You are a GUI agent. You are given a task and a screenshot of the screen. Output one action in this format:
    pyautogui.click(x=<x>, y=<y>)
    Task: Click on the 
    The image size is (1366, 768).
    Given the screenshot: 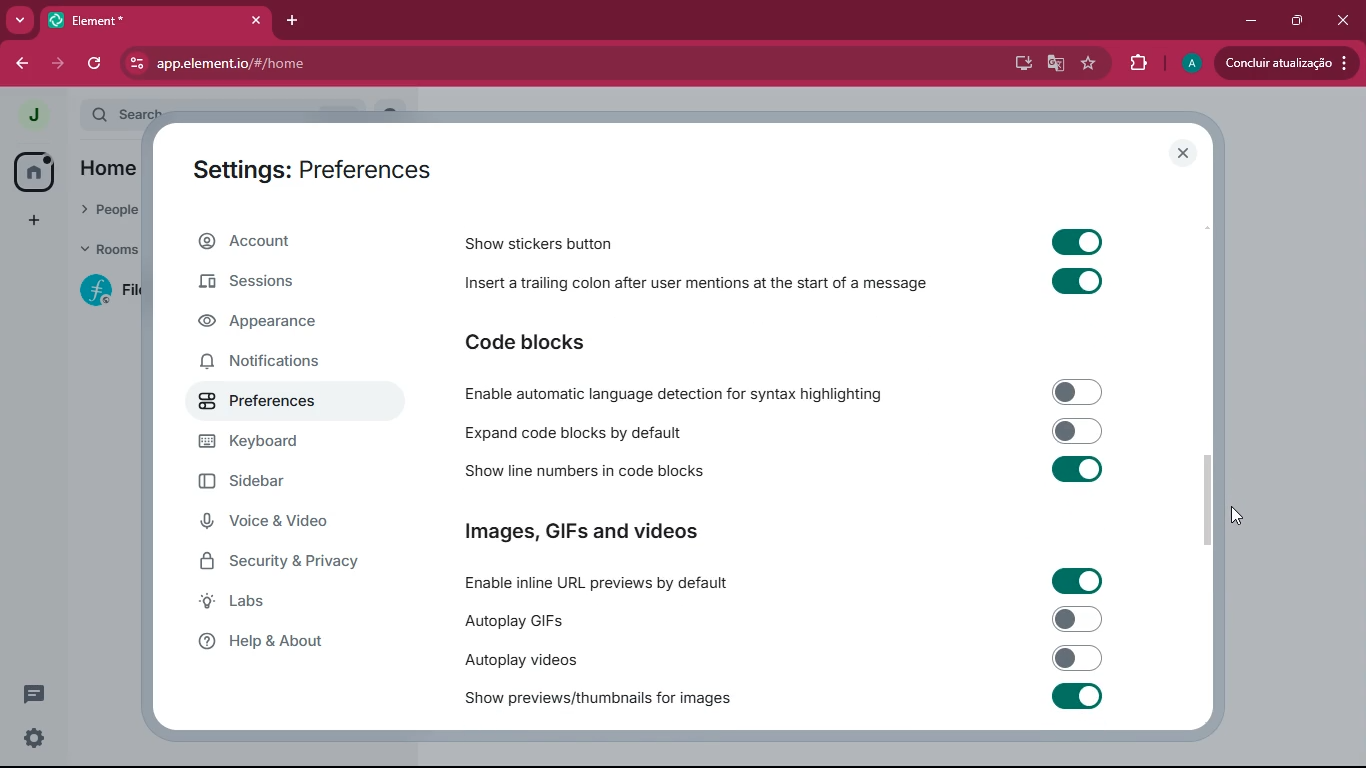 What is the action you would take?
    pyautogui.click(x=1079, y=470)
    